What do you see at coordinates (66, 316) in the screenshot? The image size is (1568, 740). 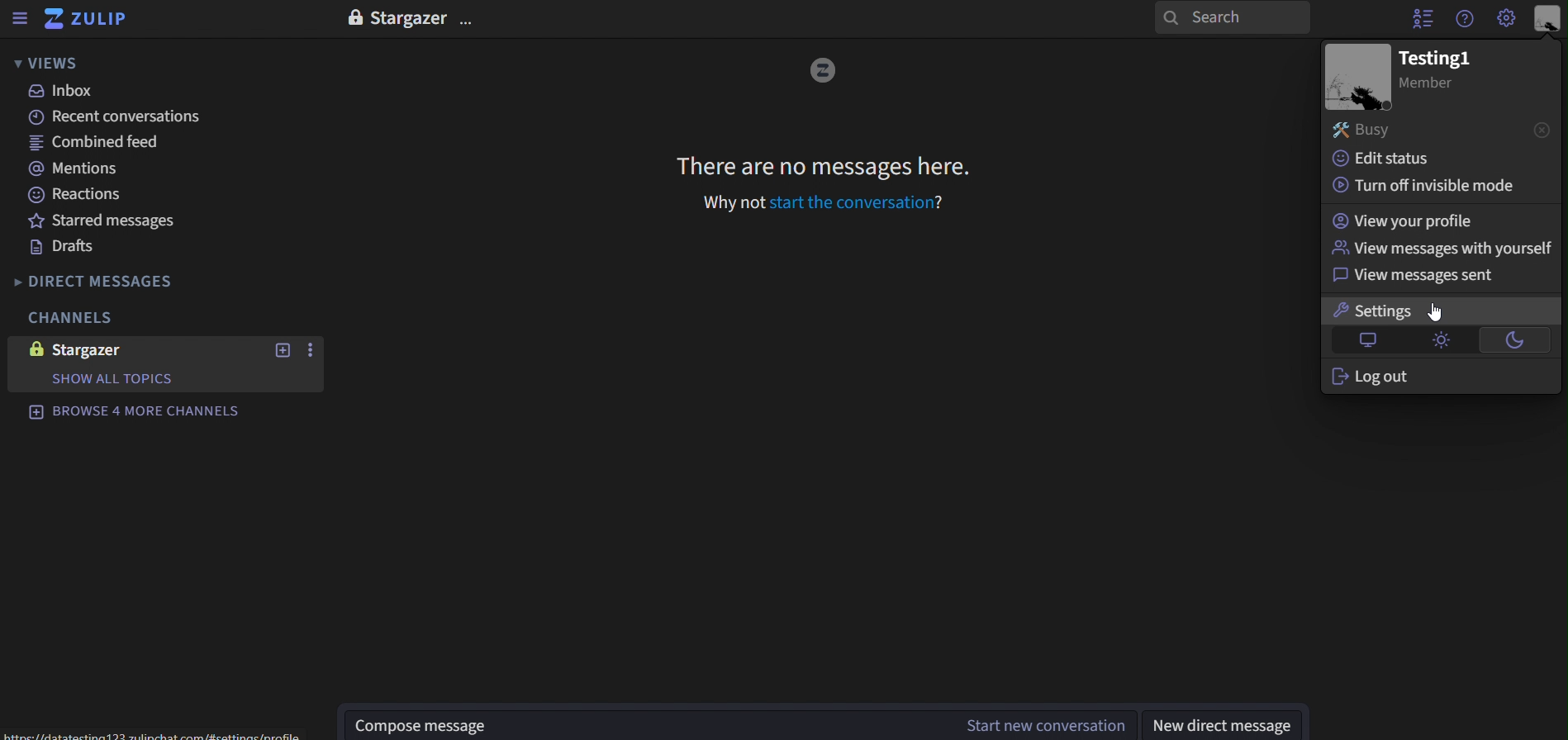 I see `channels` at bounding box center [66, 316].